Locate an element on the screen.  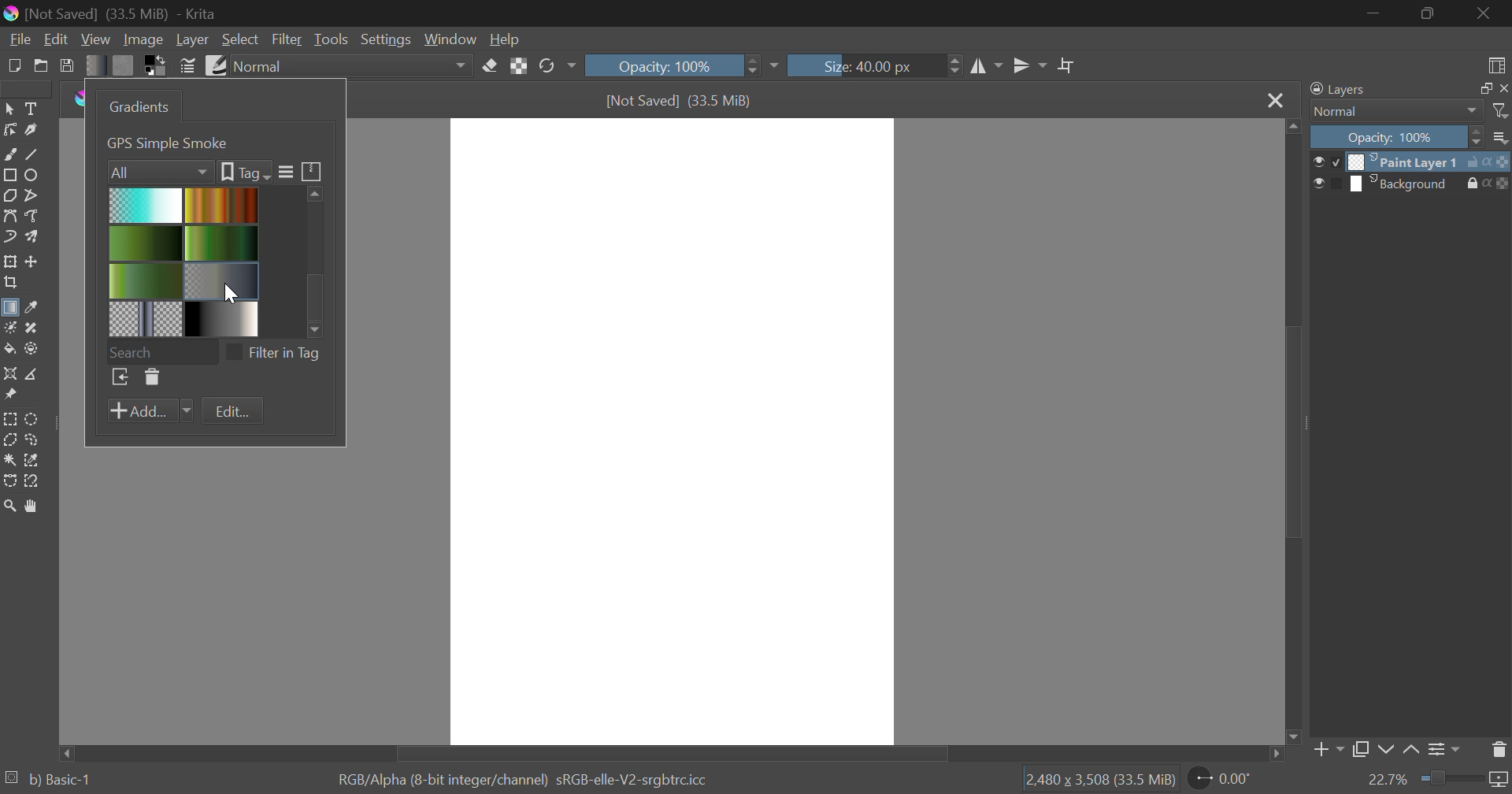
Delete Layer is located at coordinates (1499, 748).